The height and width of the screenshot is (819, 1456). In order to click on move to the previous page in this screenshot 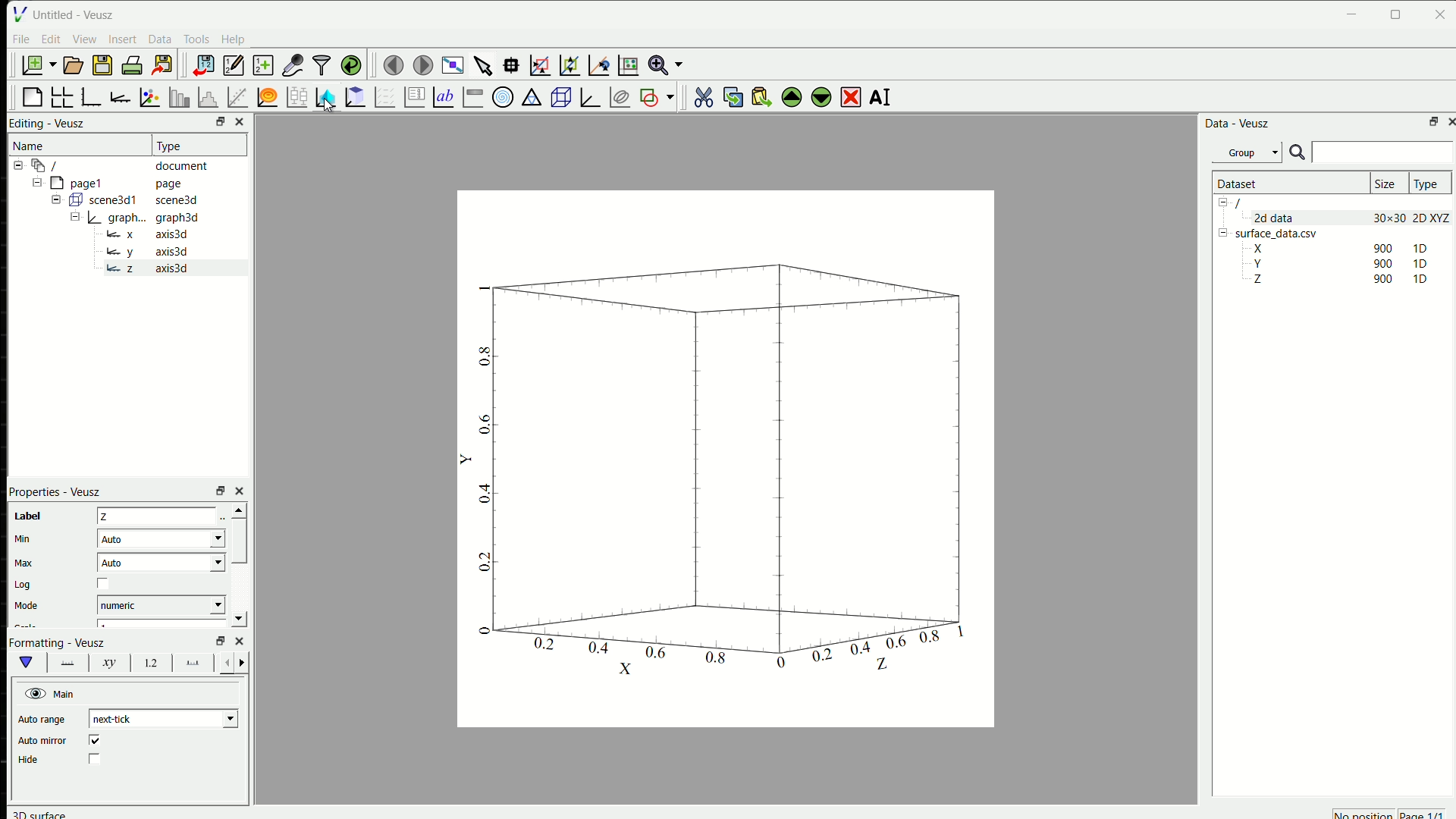, I will do `click(394, 64)`.